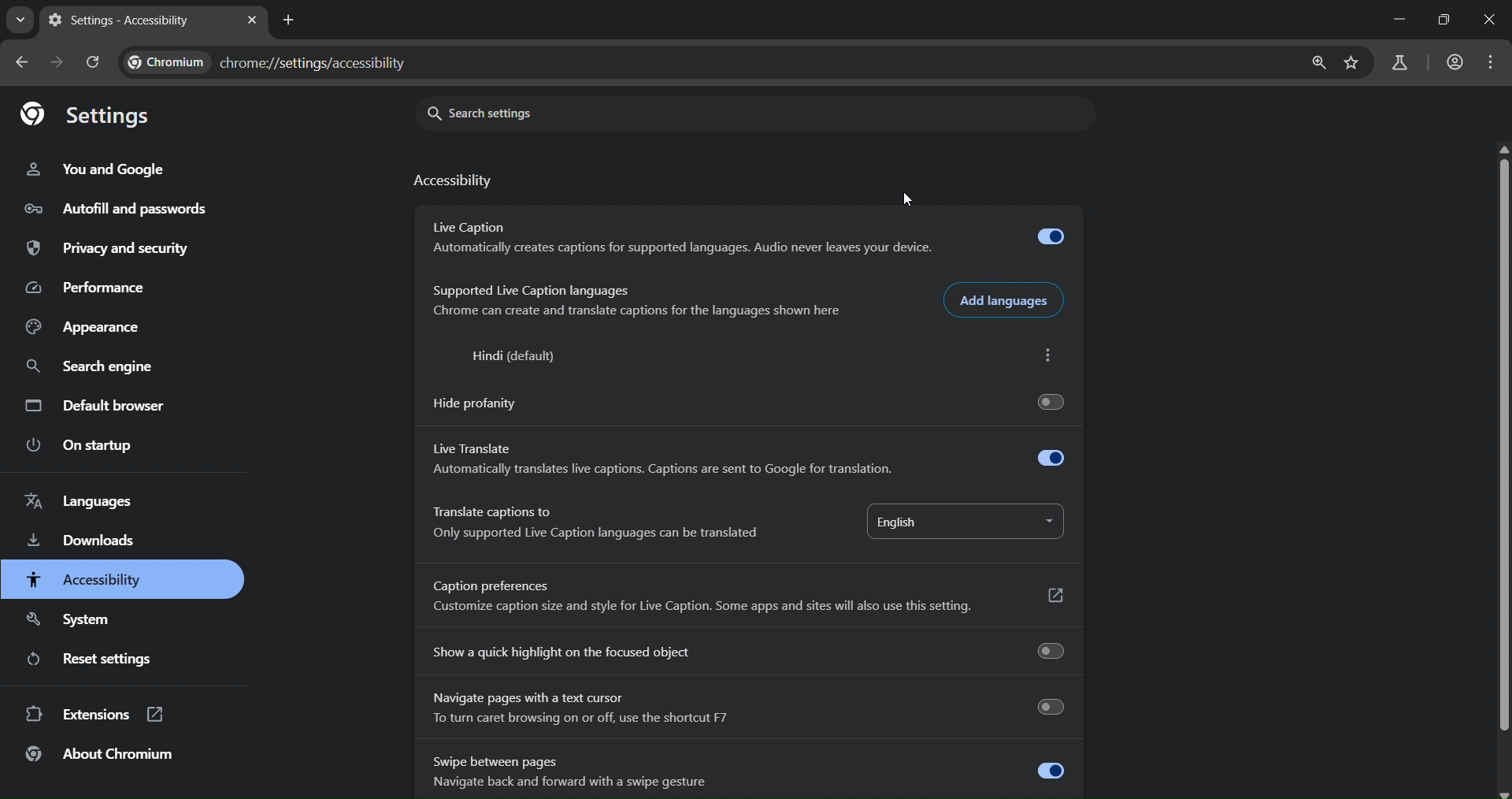 The image size is (1512, 799). Describe the element at coordinates (1046, 769) in the screenshot. I see `Toogle` at that location.